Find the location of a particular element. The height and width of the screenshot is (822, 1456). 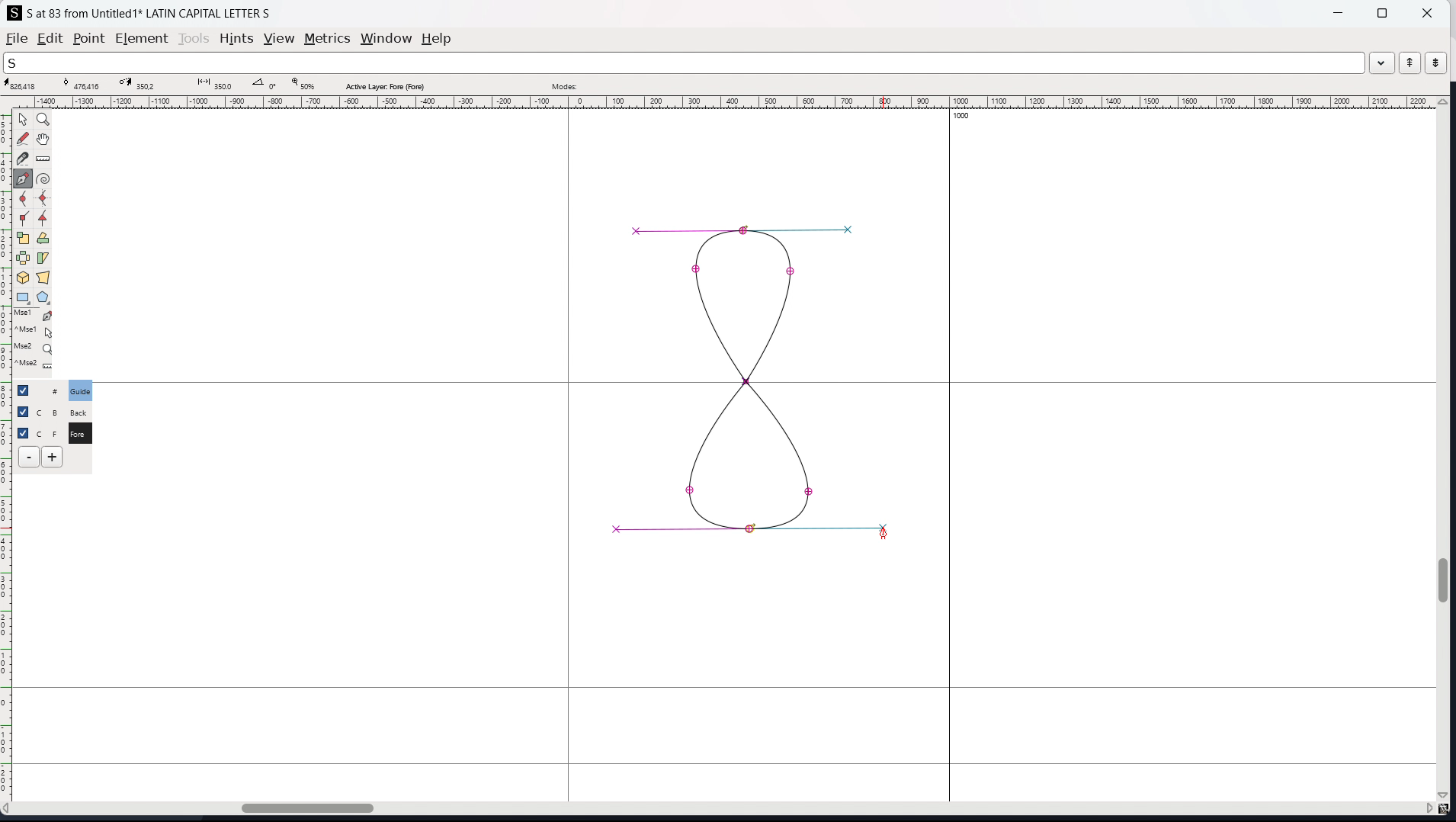

^Mse2 is located at coordinates (35, 366).